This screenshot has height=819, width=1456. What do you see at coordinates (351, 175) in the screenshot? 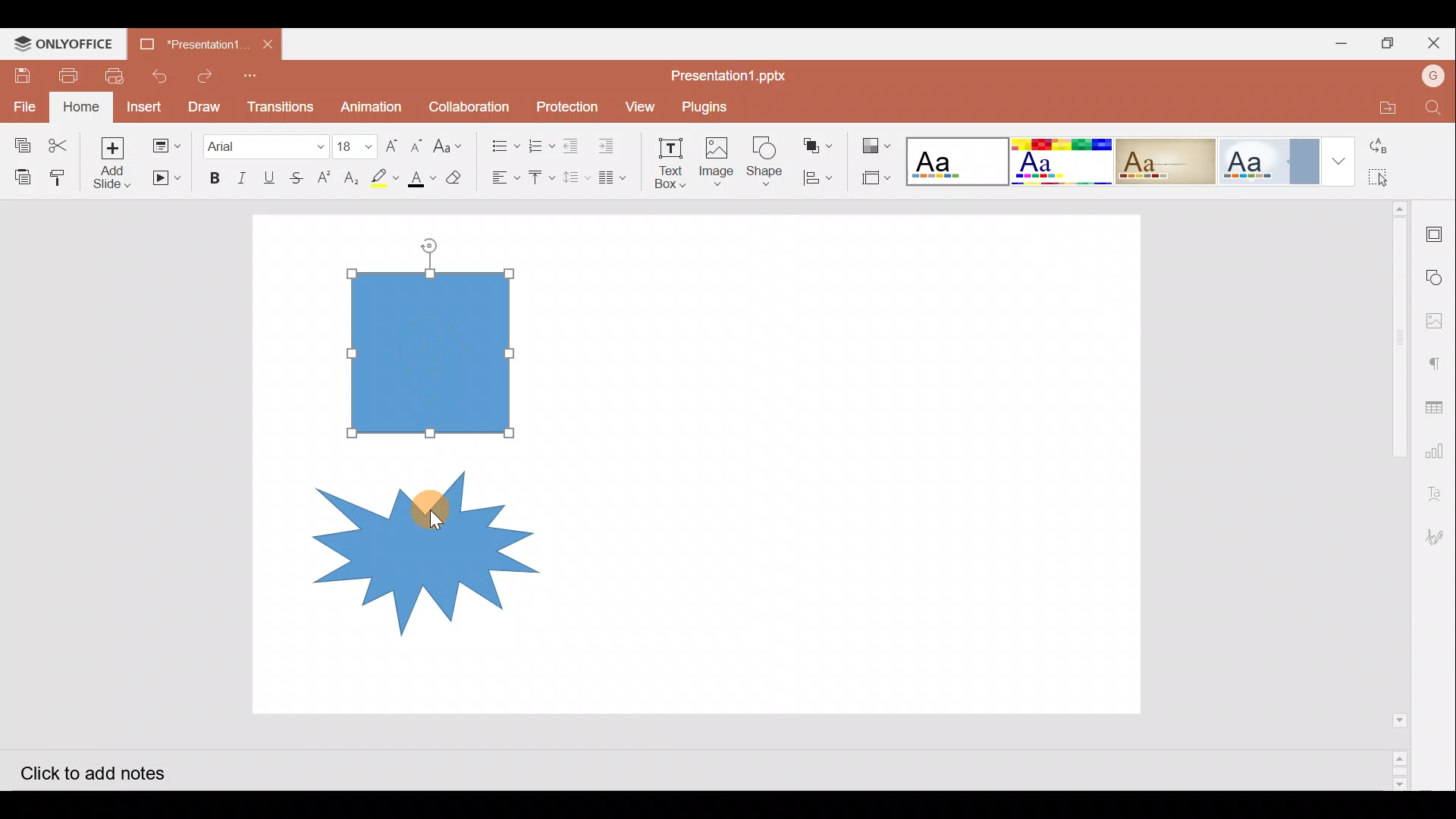
I see `Subscript` at bounding box center [351, 175].